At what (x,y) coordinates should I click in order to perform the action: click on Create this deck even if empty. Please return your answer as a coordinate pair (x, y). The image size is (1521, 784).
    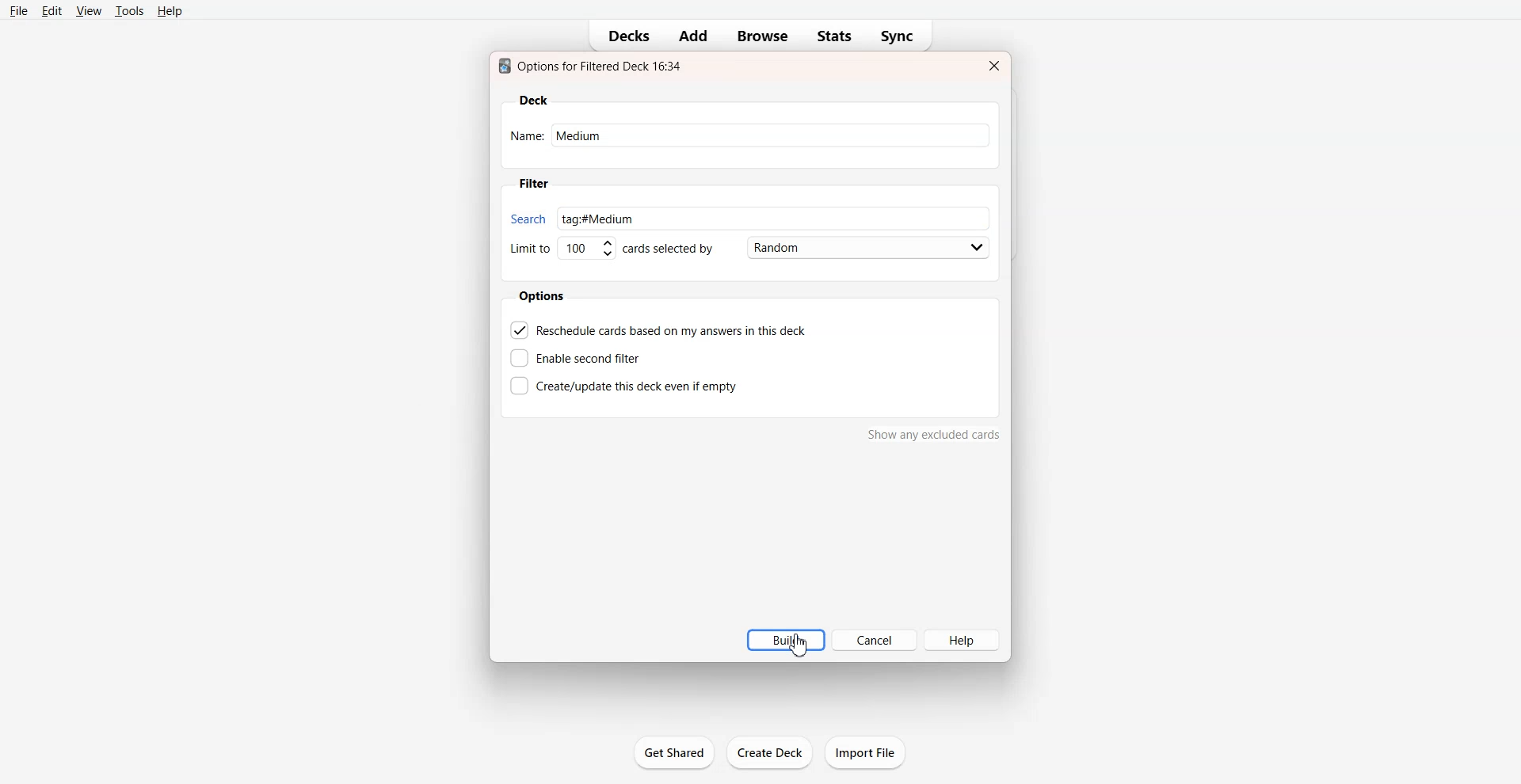
    Looking at the image, I should click on (623, 384).